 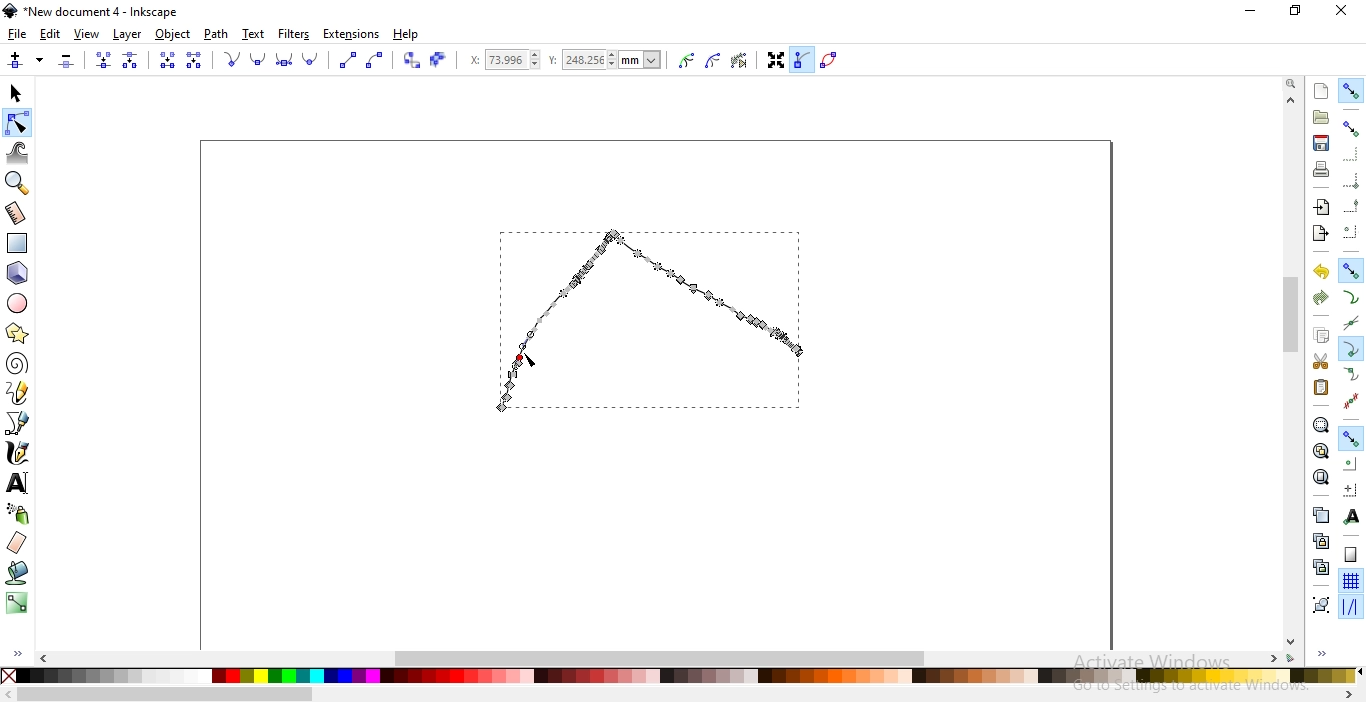 What do you see at coordinates (254, 33) in the screenshot?
I see `text` at bounding box center [254, 33].